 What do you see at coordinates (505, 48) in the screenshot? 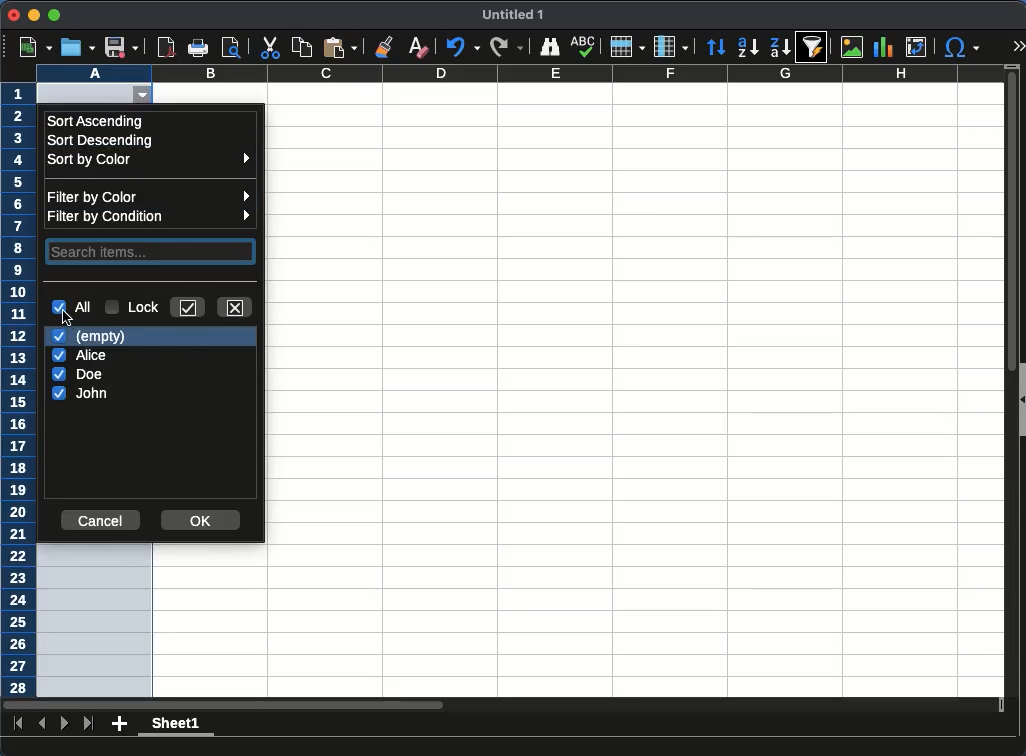
I see `redo` at bounding box center [505, 48].